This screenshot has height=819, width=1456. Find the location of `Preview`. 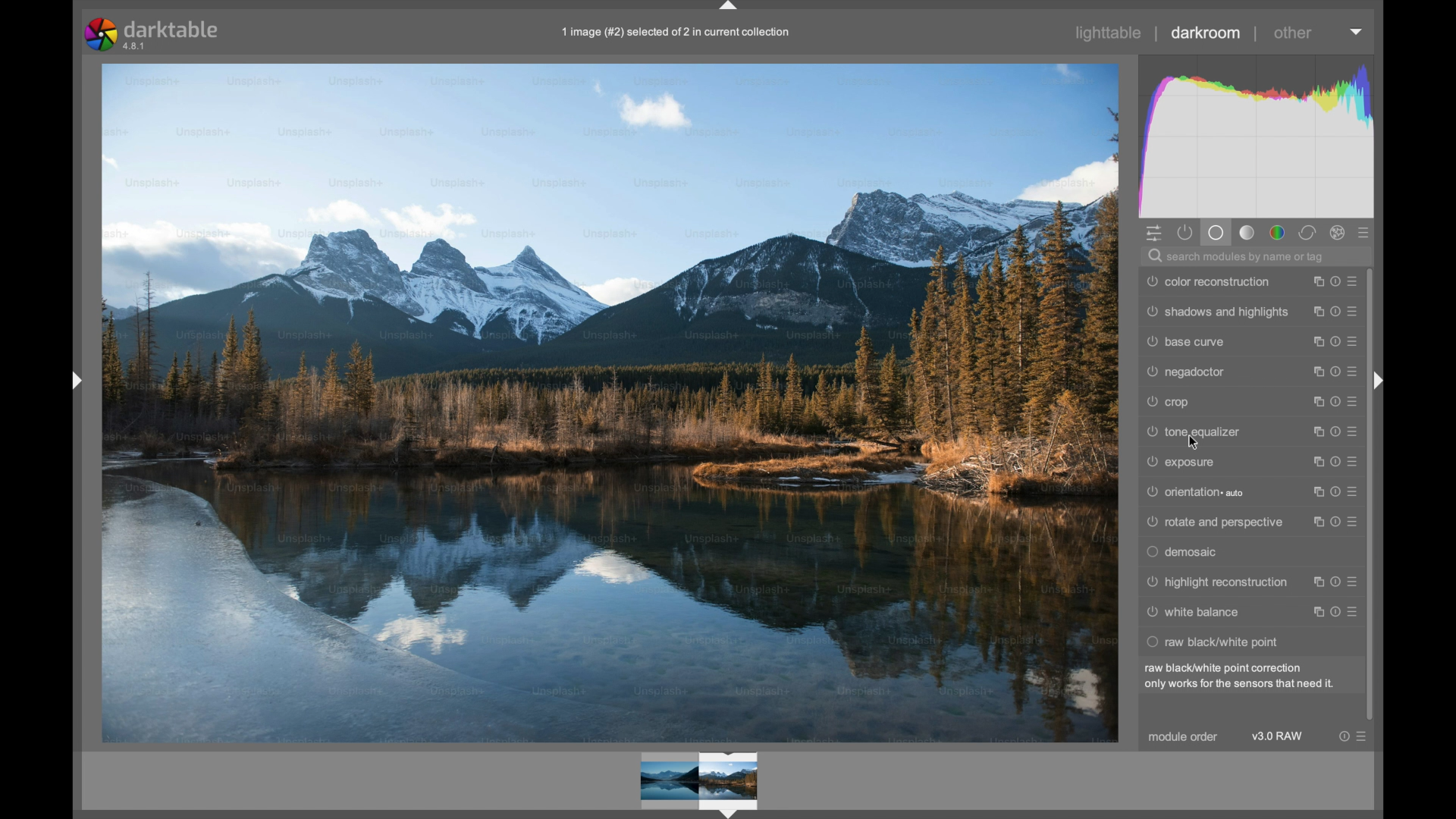

Preview is located at coordinates (698, 784).